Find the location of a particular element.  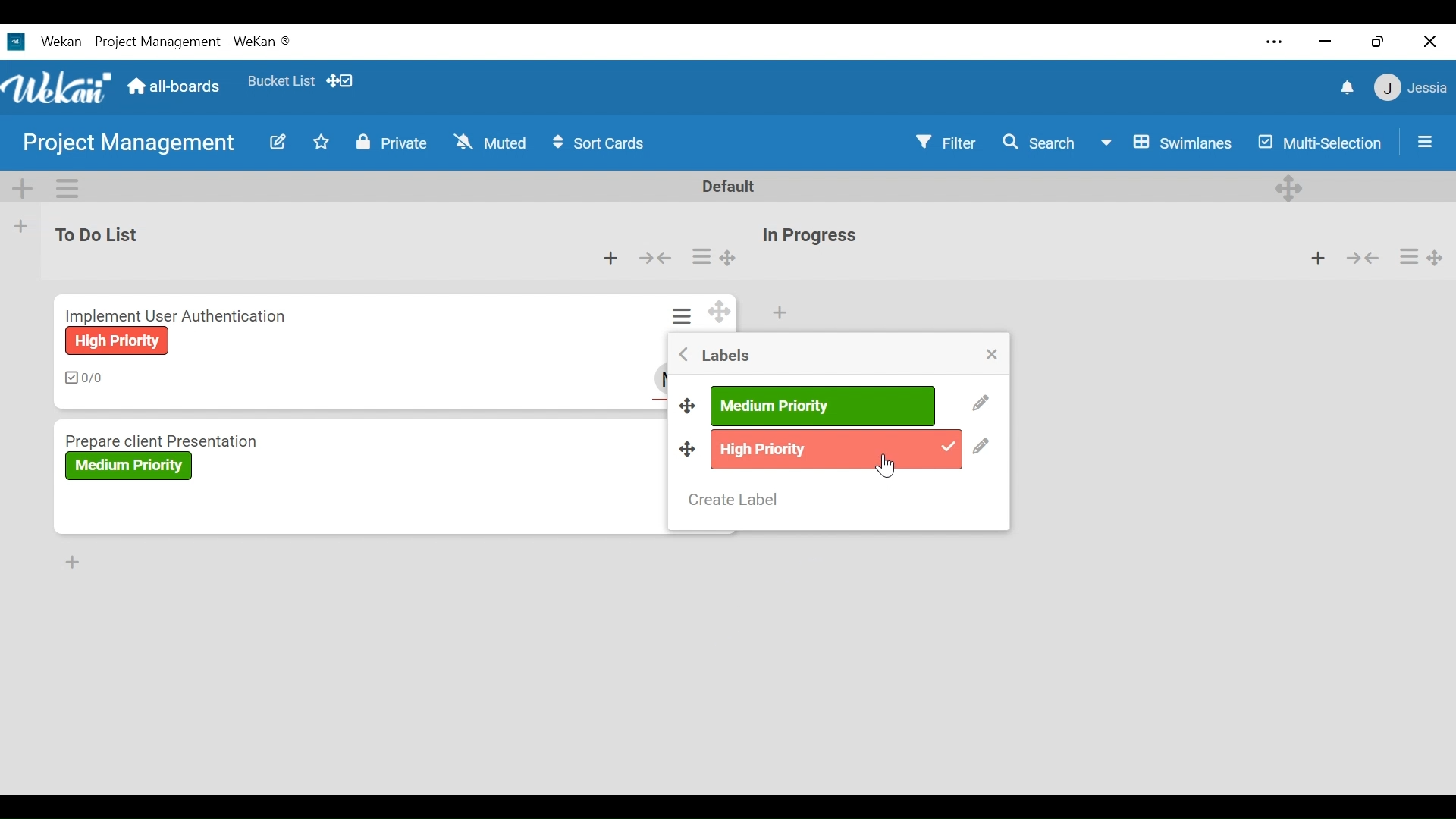

Create label is located at coordinates (734, 500).